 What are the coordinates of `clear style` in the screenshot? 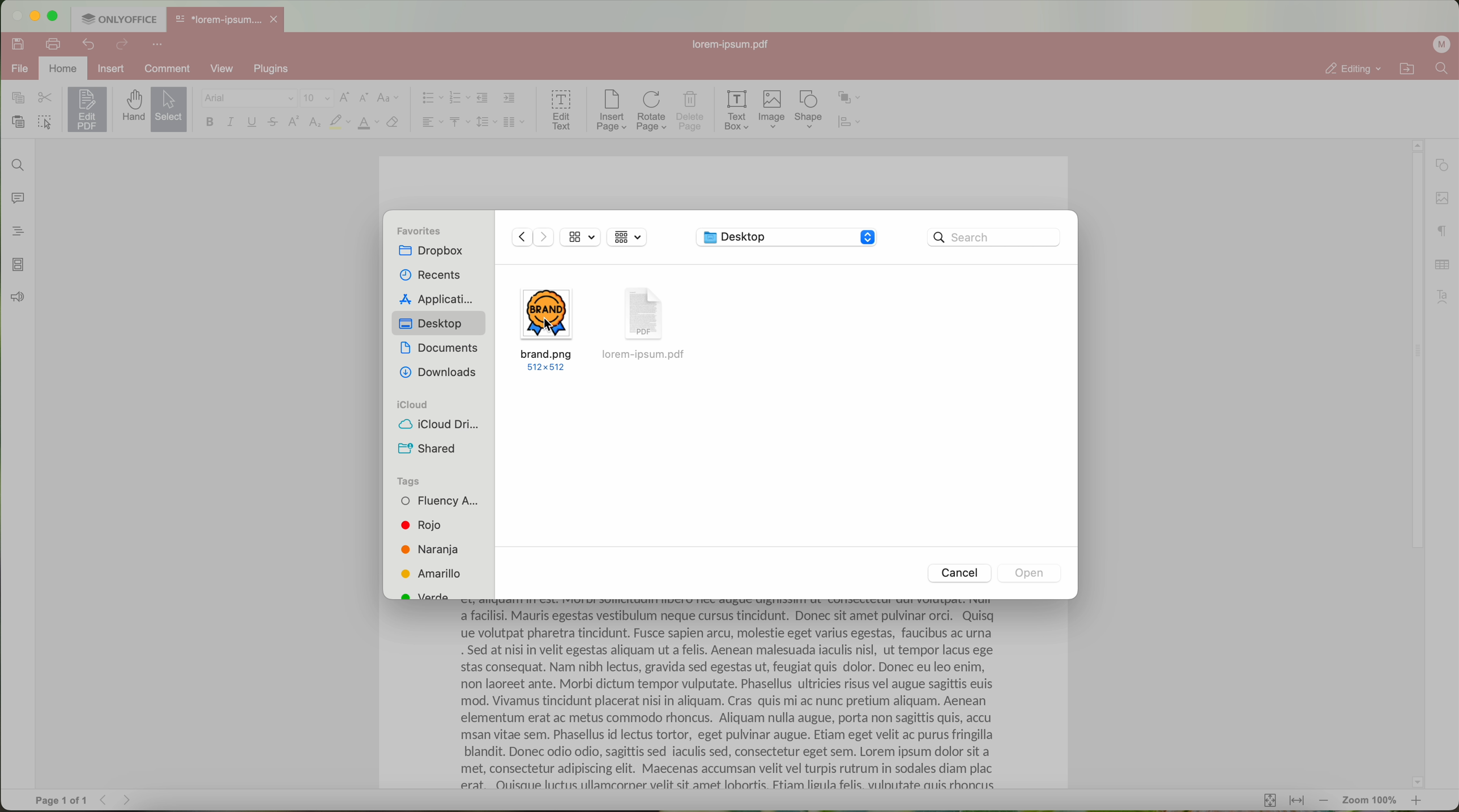 It's located at (393, 123).